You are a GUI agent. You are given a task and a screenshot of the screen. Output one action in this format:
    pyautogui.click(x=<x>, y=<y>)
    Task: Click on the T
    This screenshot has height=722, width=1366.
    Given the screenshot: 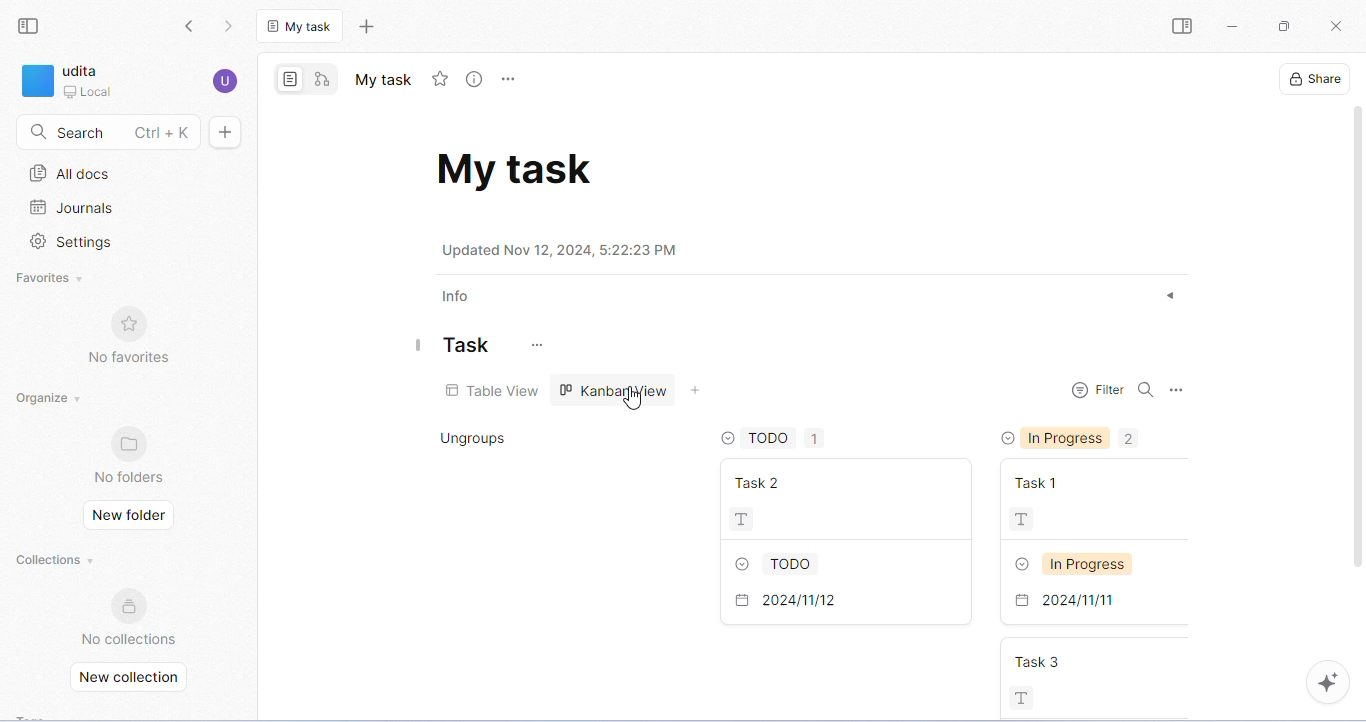 What is the action you would take?
    pyautogui.click(x=1100, y=517)
    